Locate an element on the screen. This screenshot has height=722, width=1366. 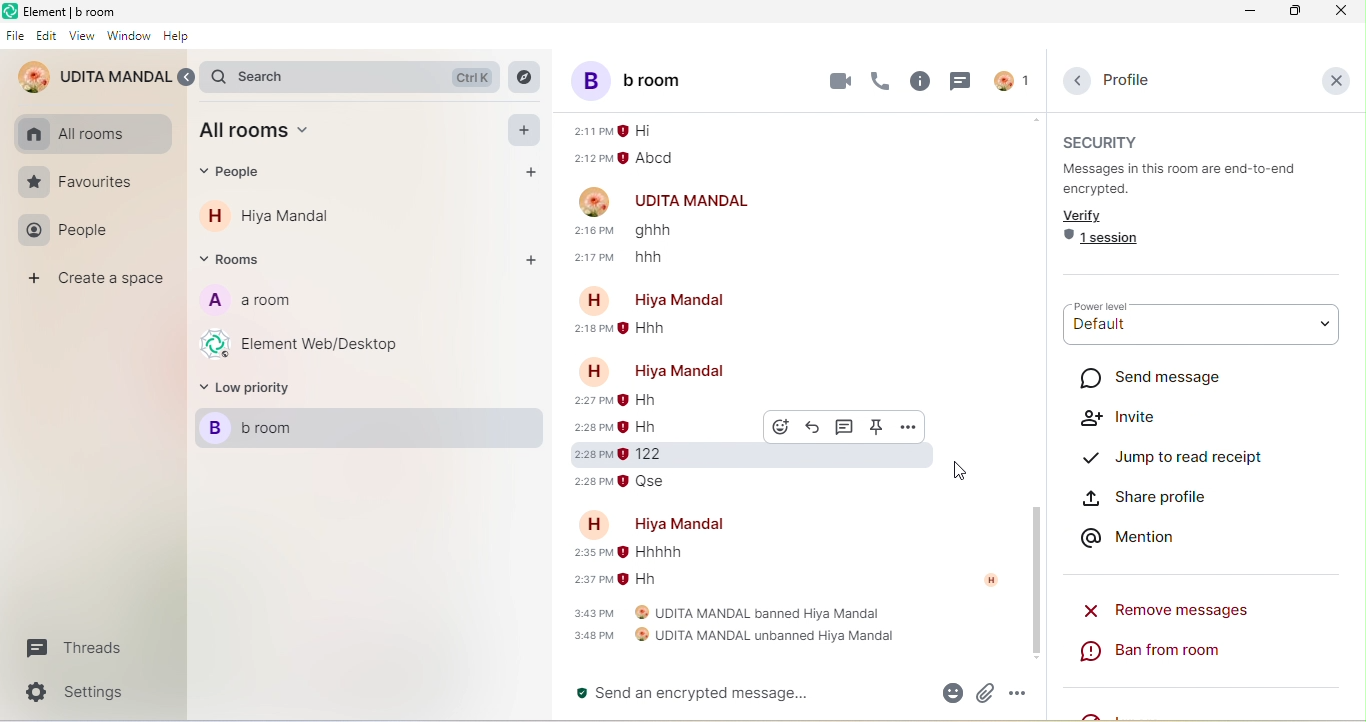
voice call is located at coordinates (881, 82).